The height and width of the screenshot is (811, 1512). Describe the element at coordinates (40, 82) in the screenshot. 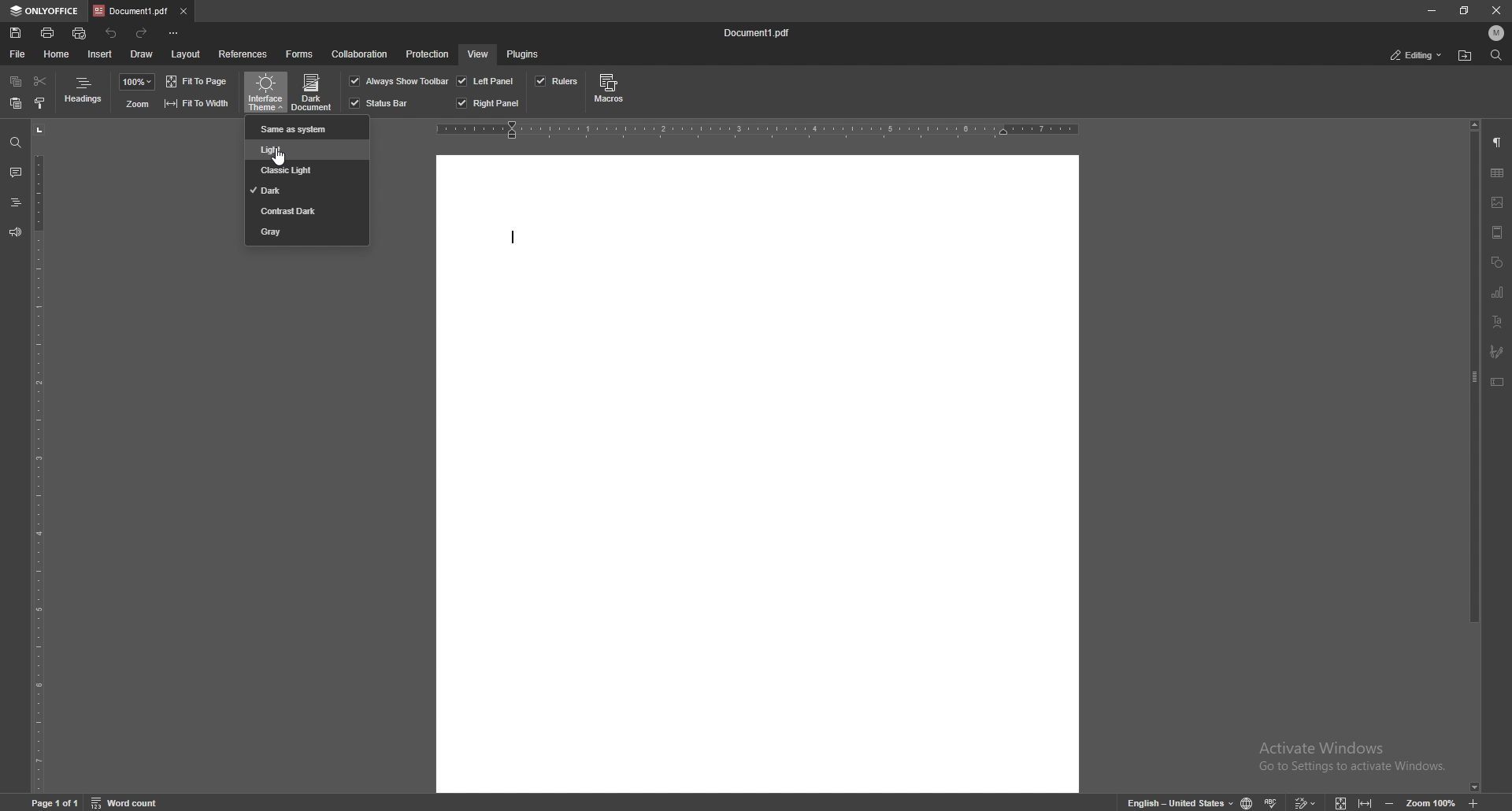

I see `cut` at that location.